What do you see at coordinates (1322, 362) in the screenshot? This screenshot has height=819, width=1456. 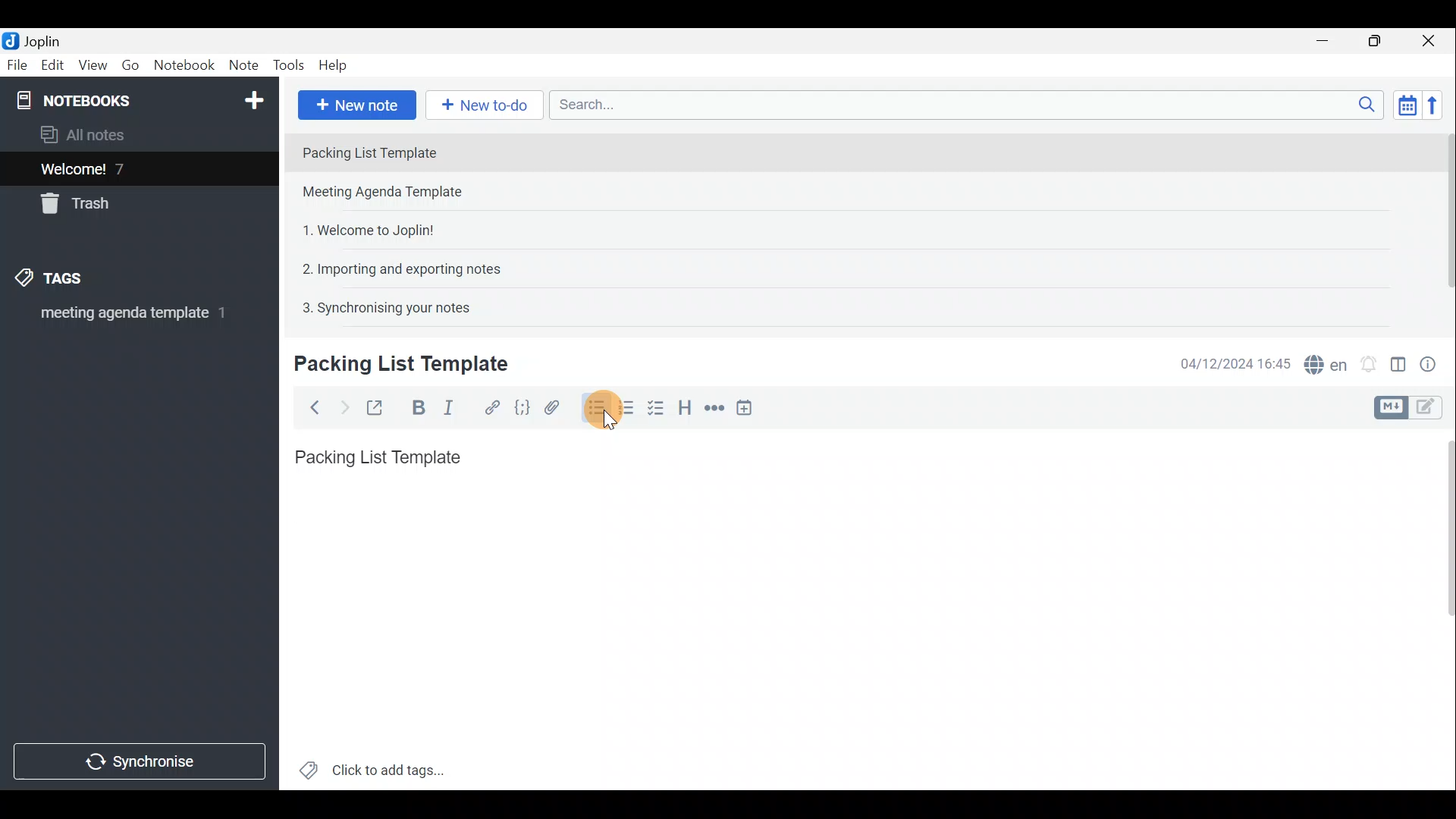 I see `Spell checker` at bounding box center [1322, 362].